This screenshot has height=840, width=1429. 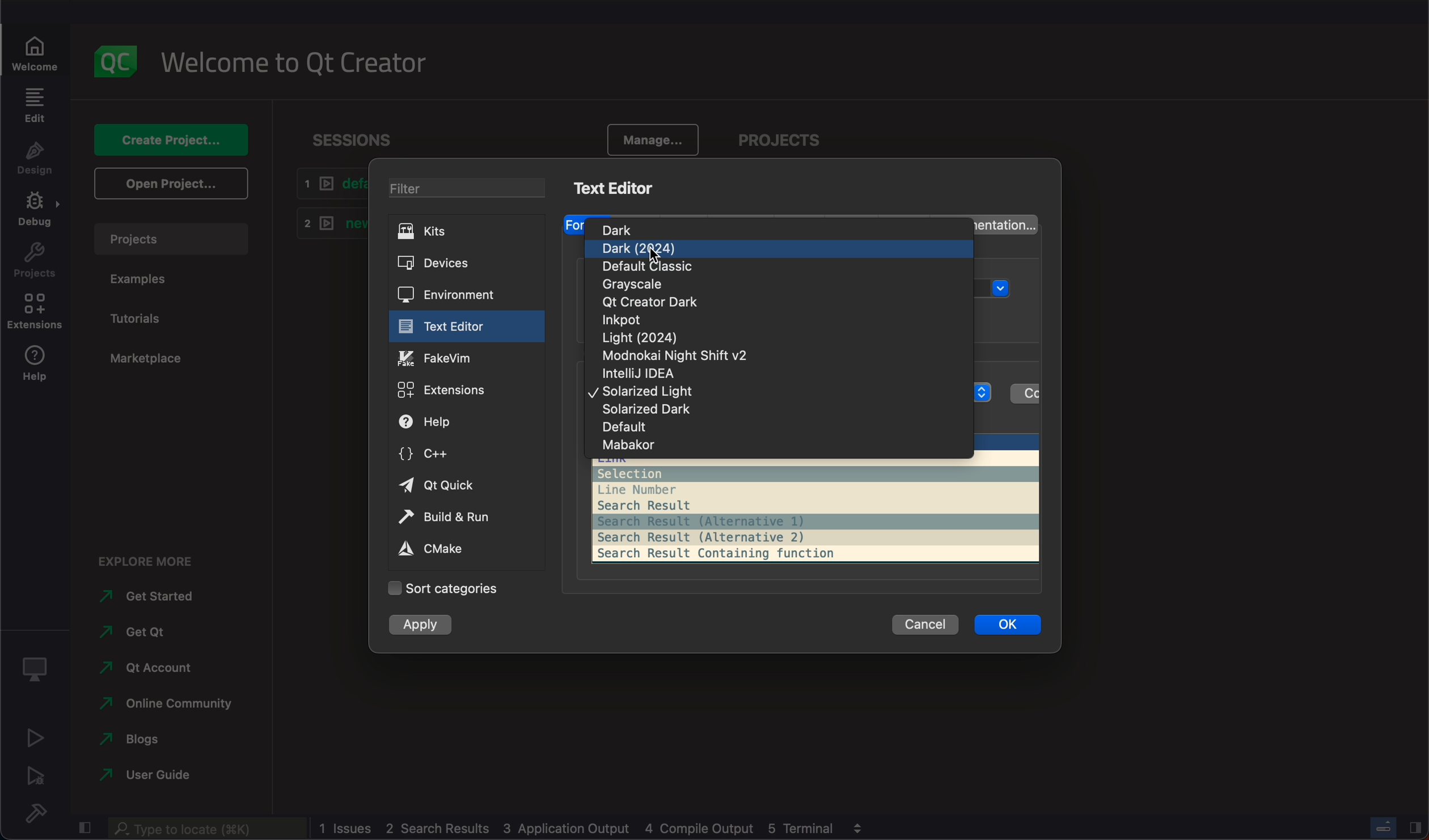 I want to click on documentation, so click(x=999, y=223).